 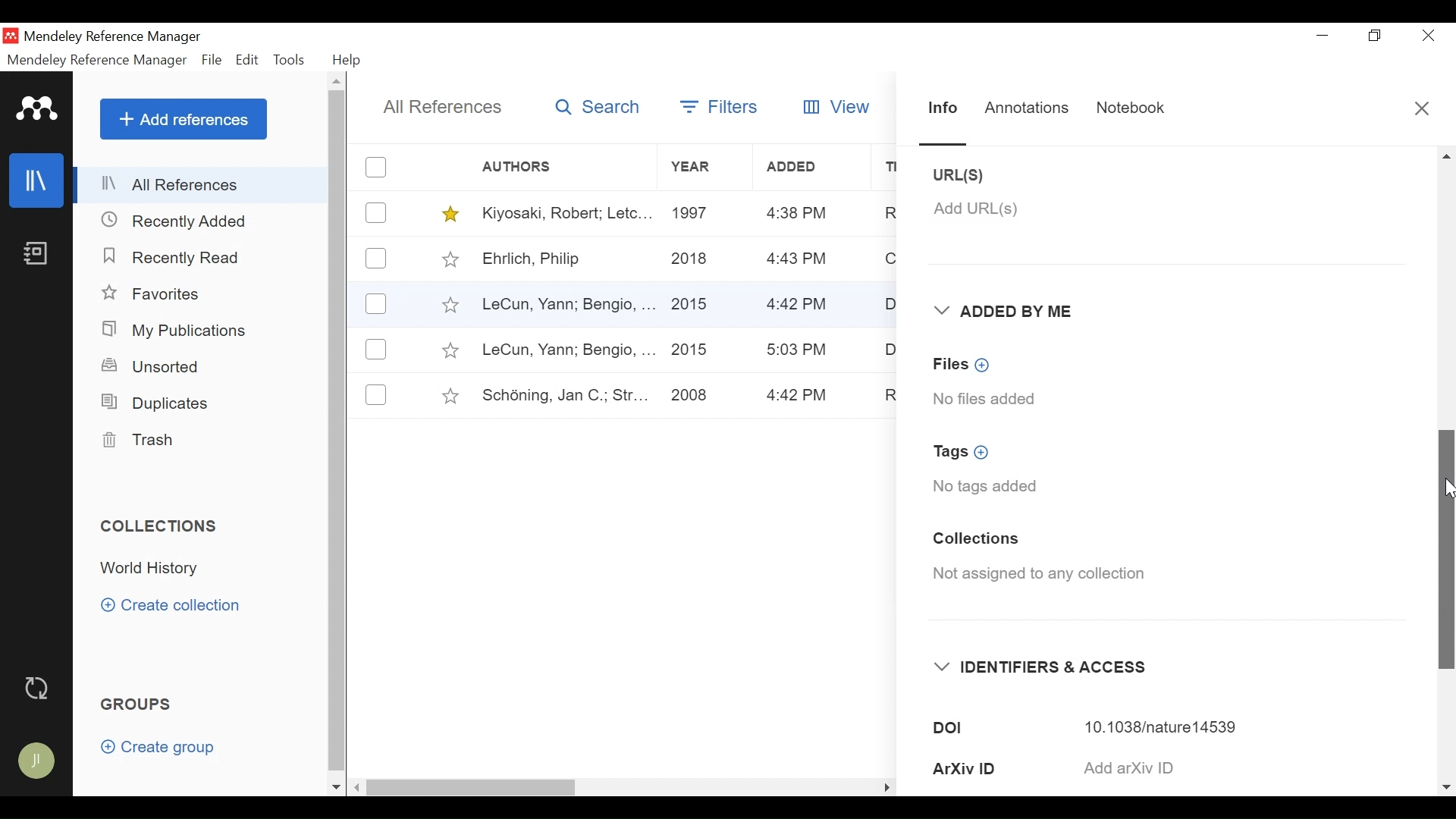 What do you see at coordinates (122, 36) in the screenshot?
I see `Mendeley Reference Manger` at bounding box center [122, 36].